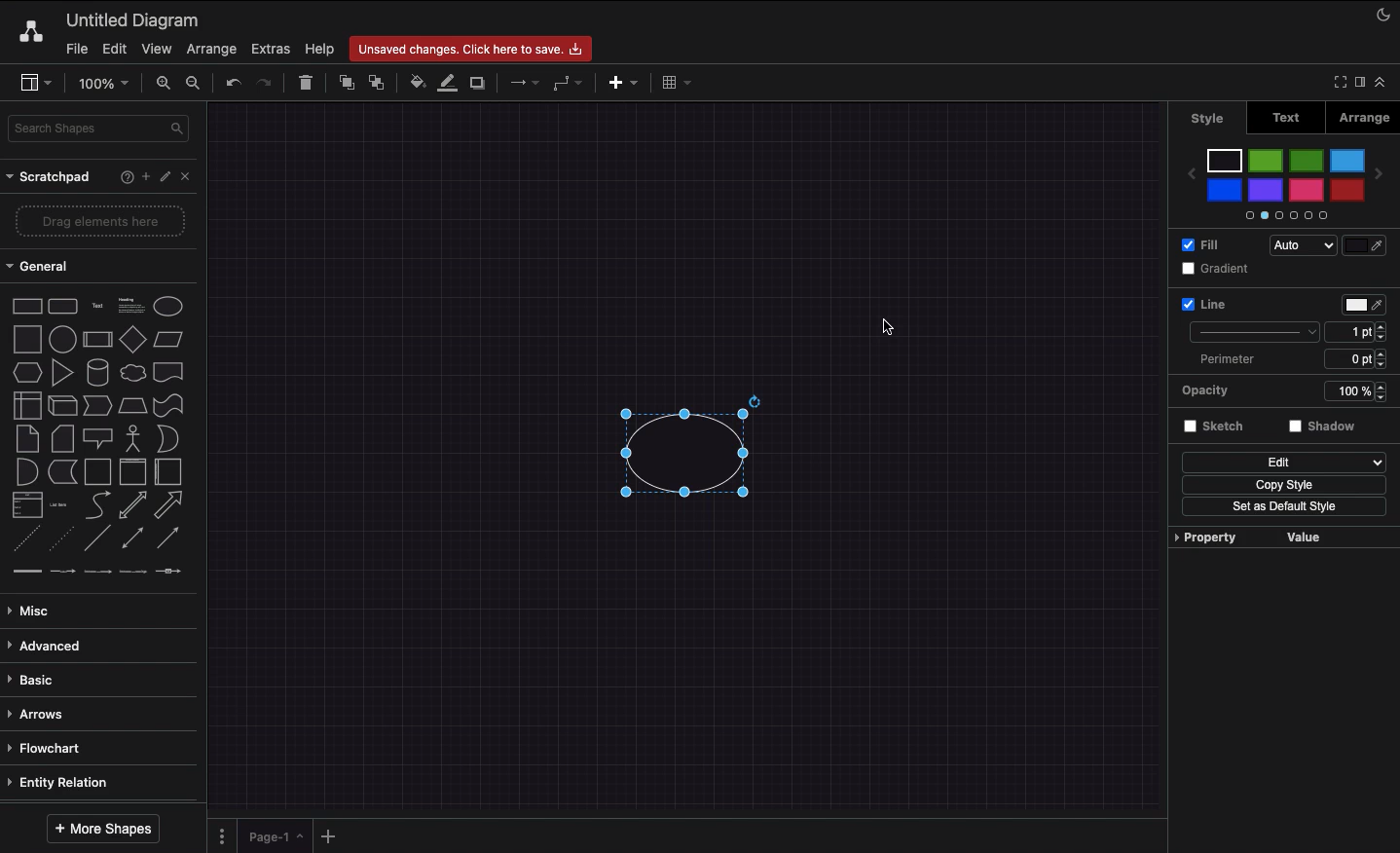 The image size is (1400, 853). I want to click on Cloud, so click(131, 373).